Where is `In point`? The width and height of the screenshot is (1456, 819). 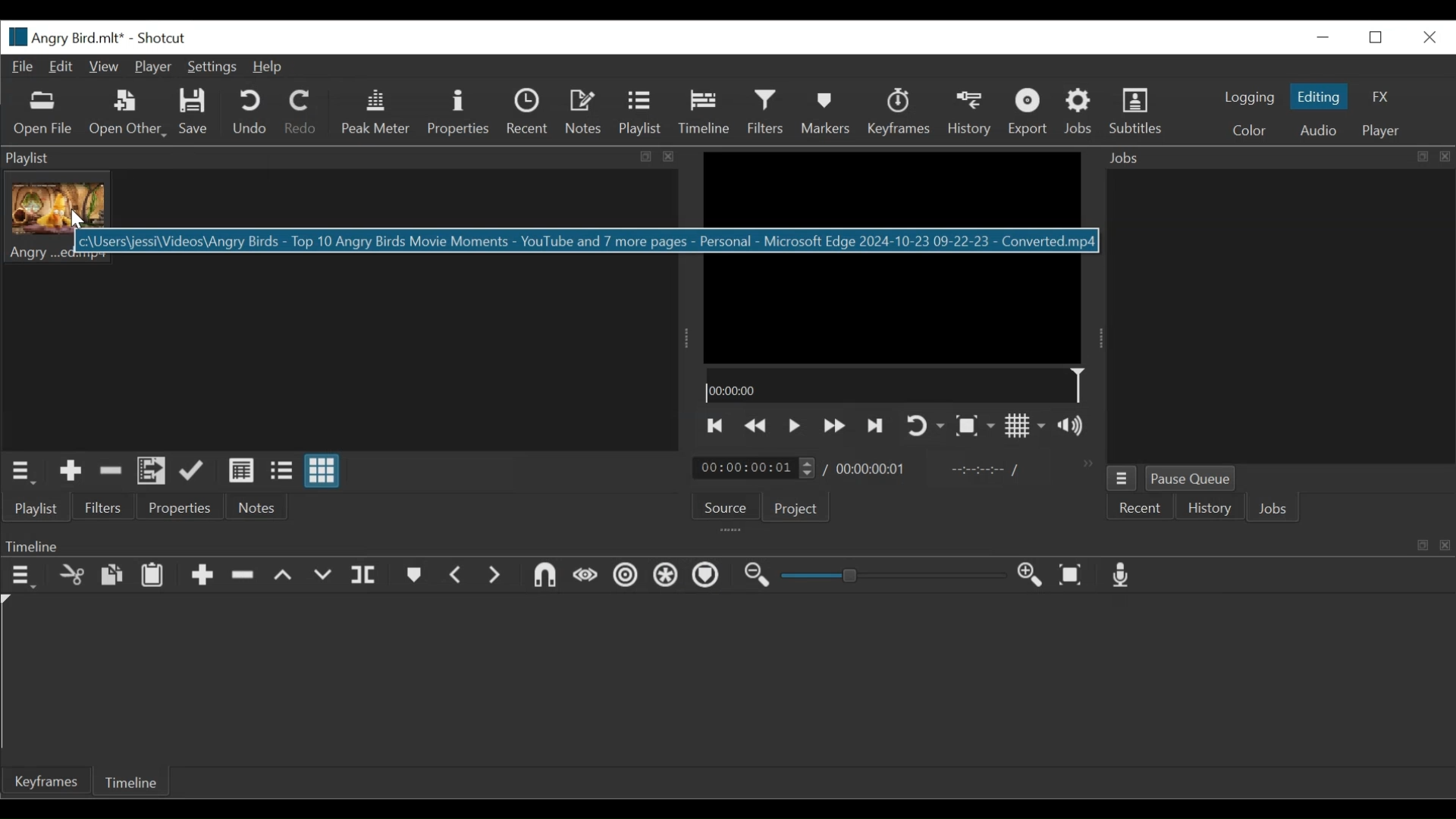
In point is located at coordinates (984, 470).